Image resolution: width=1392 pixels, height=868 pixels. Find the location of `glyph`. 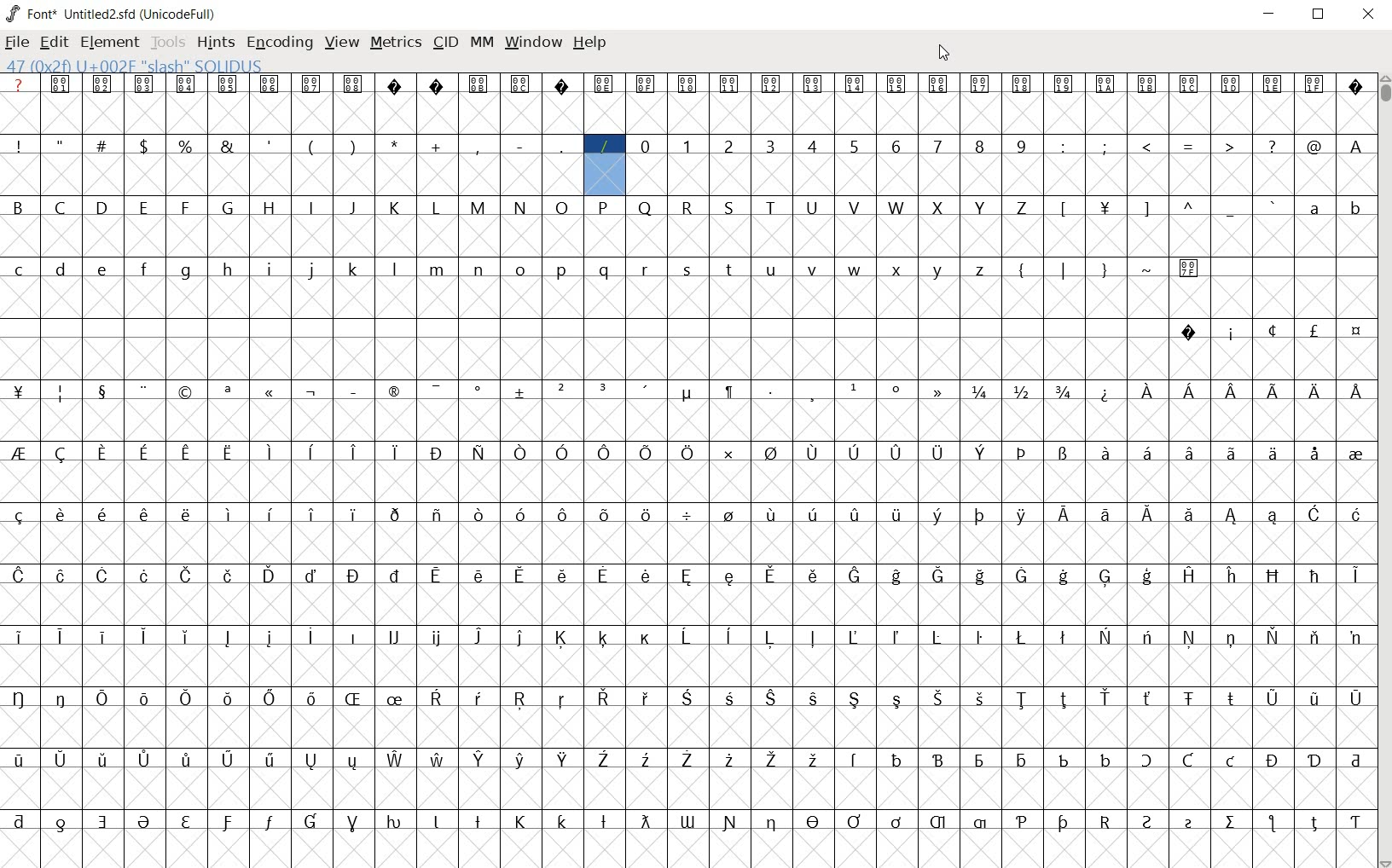

glyph is located at coordinates (811, 145).